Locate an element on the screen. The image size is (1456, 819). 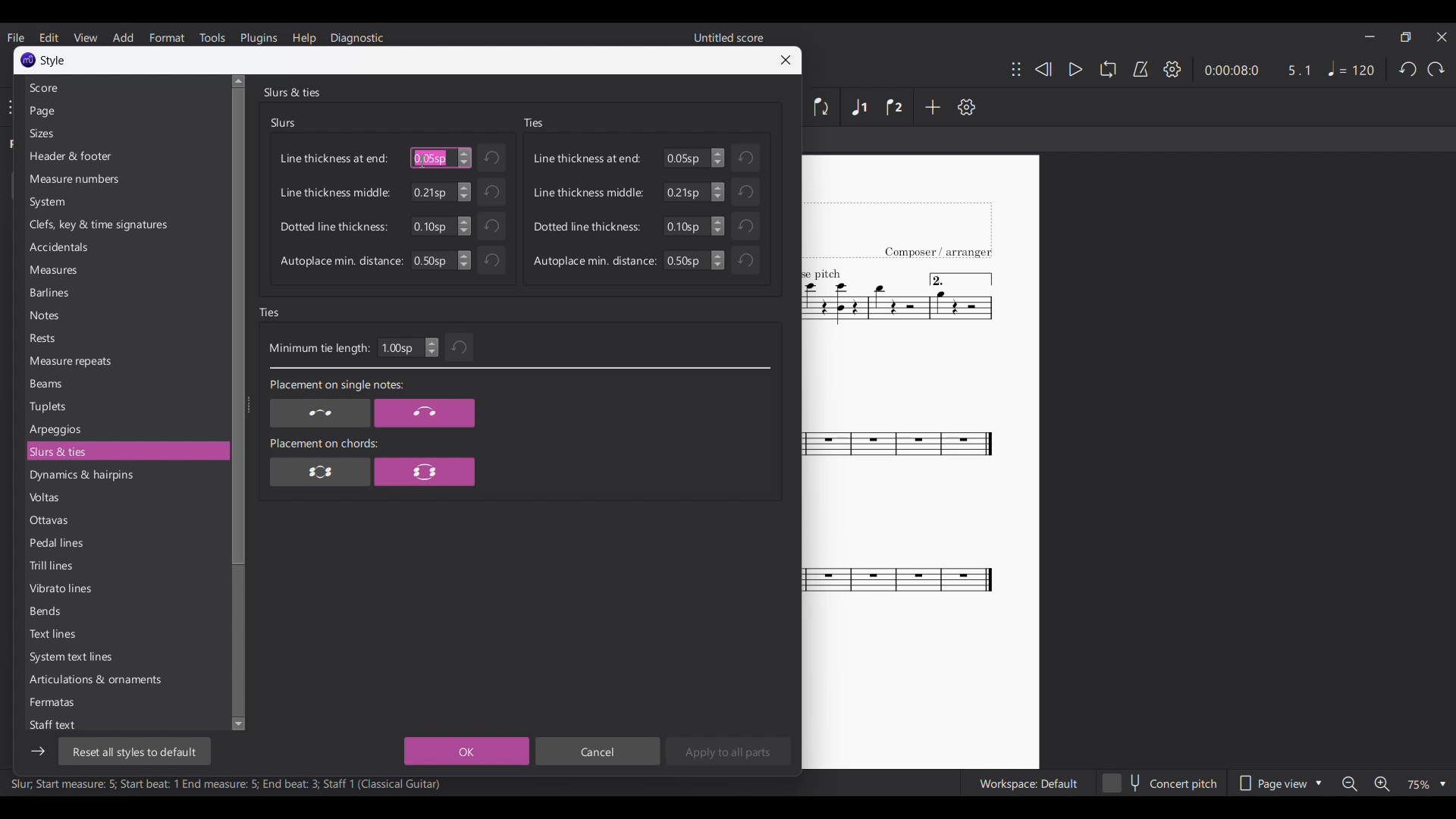
Help menu is located at coordinates (304, 38).